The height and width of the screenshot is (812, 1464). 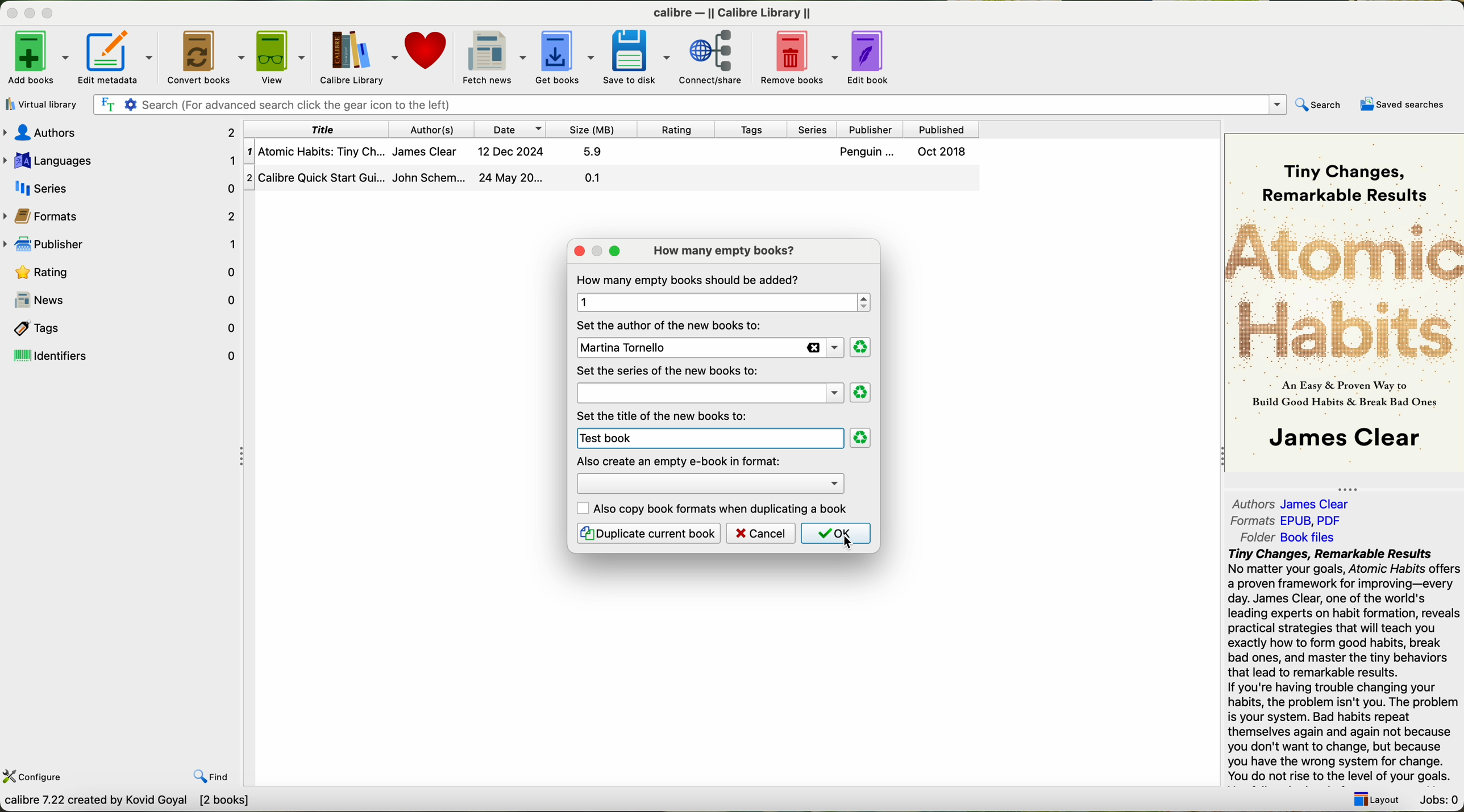 What do you see at coordinates (710, 372) in the screenshot?
I see `james clear` at bounding box center [710, 372].